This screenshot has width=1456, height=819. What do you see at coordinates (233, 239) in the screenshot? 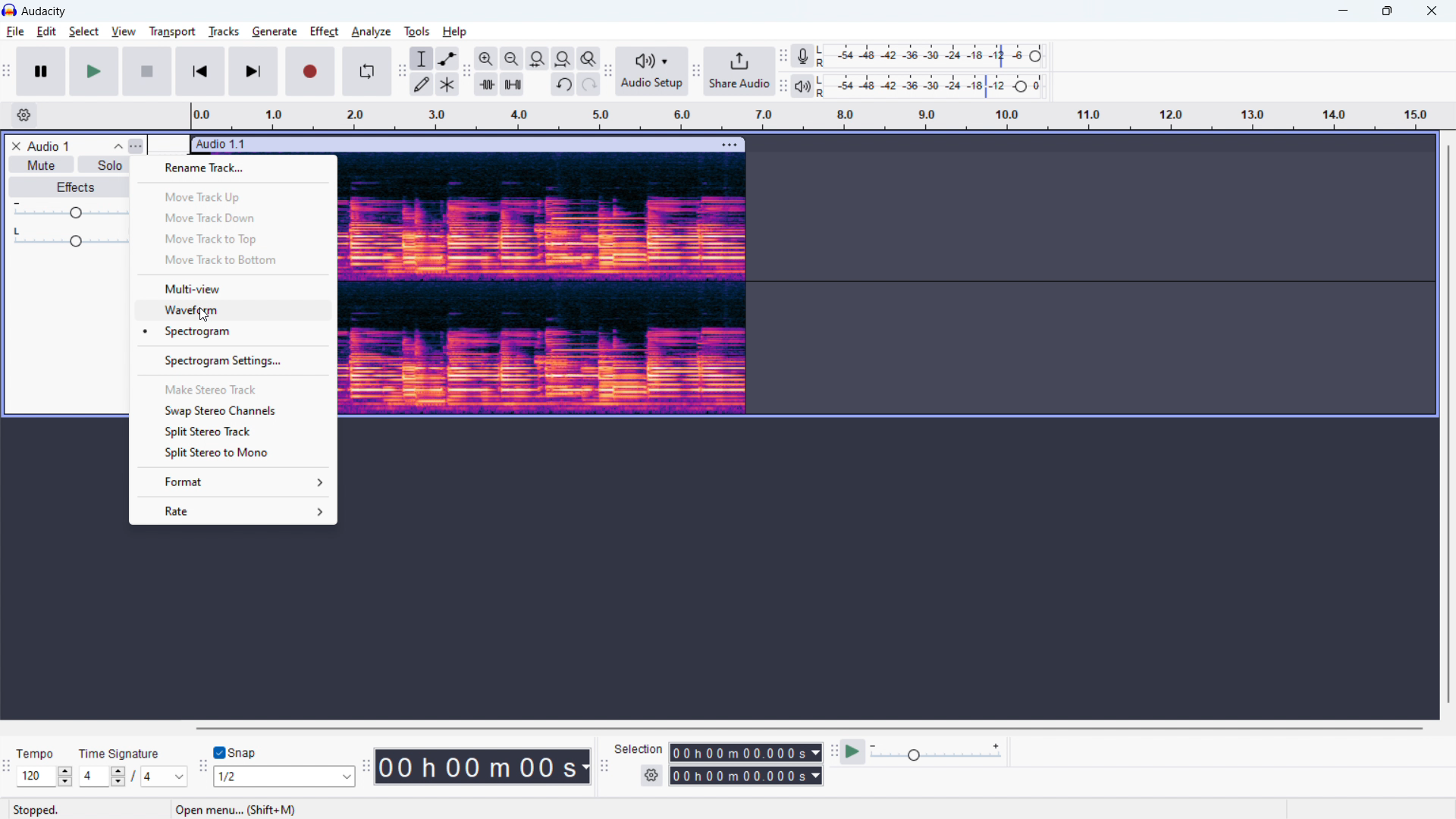
I see `move track to top` at bounding box center [233, 239].